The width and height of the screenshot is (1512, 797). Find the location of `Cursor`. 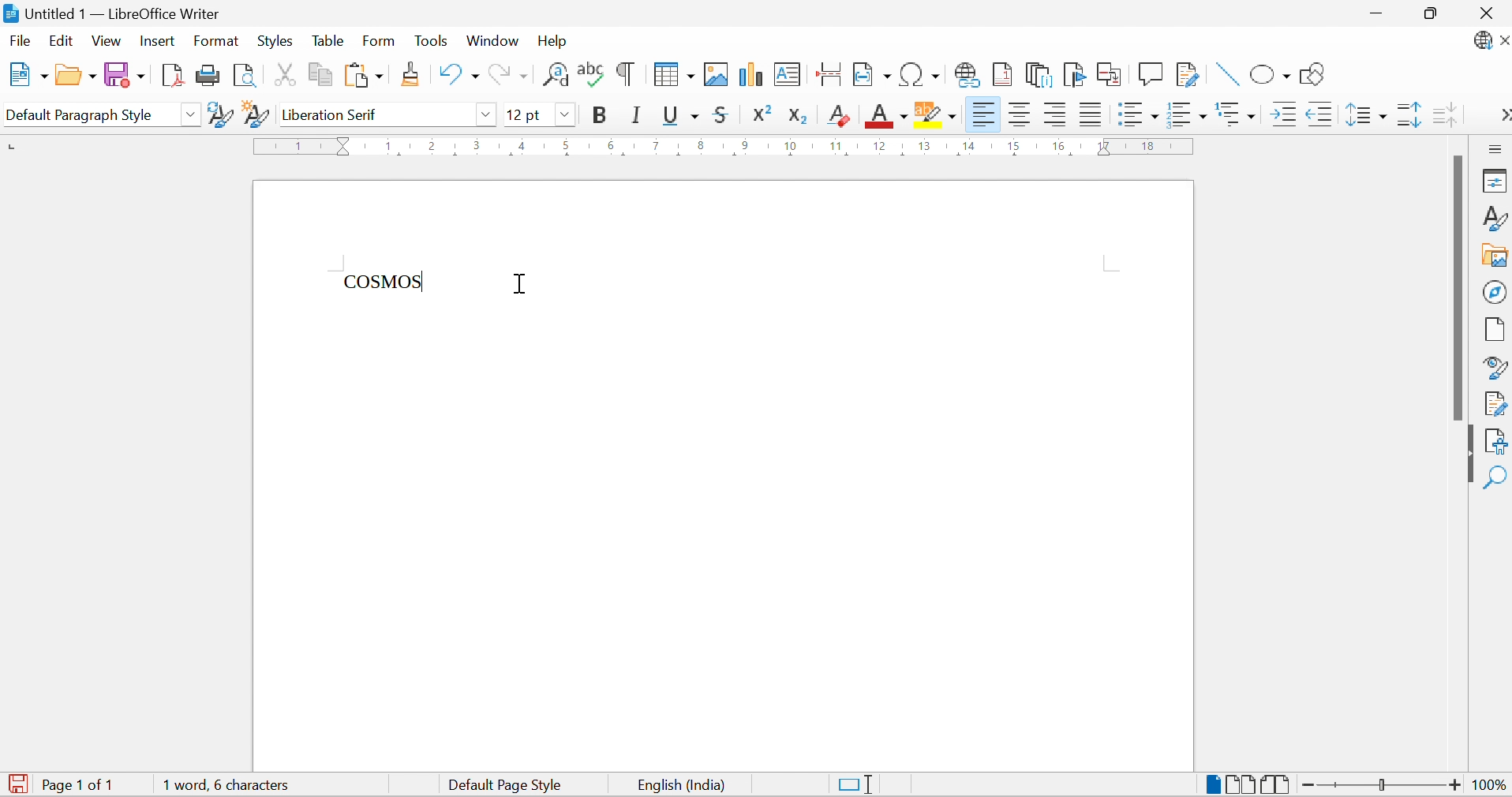

Cursor is located at coordinates (523, 285).